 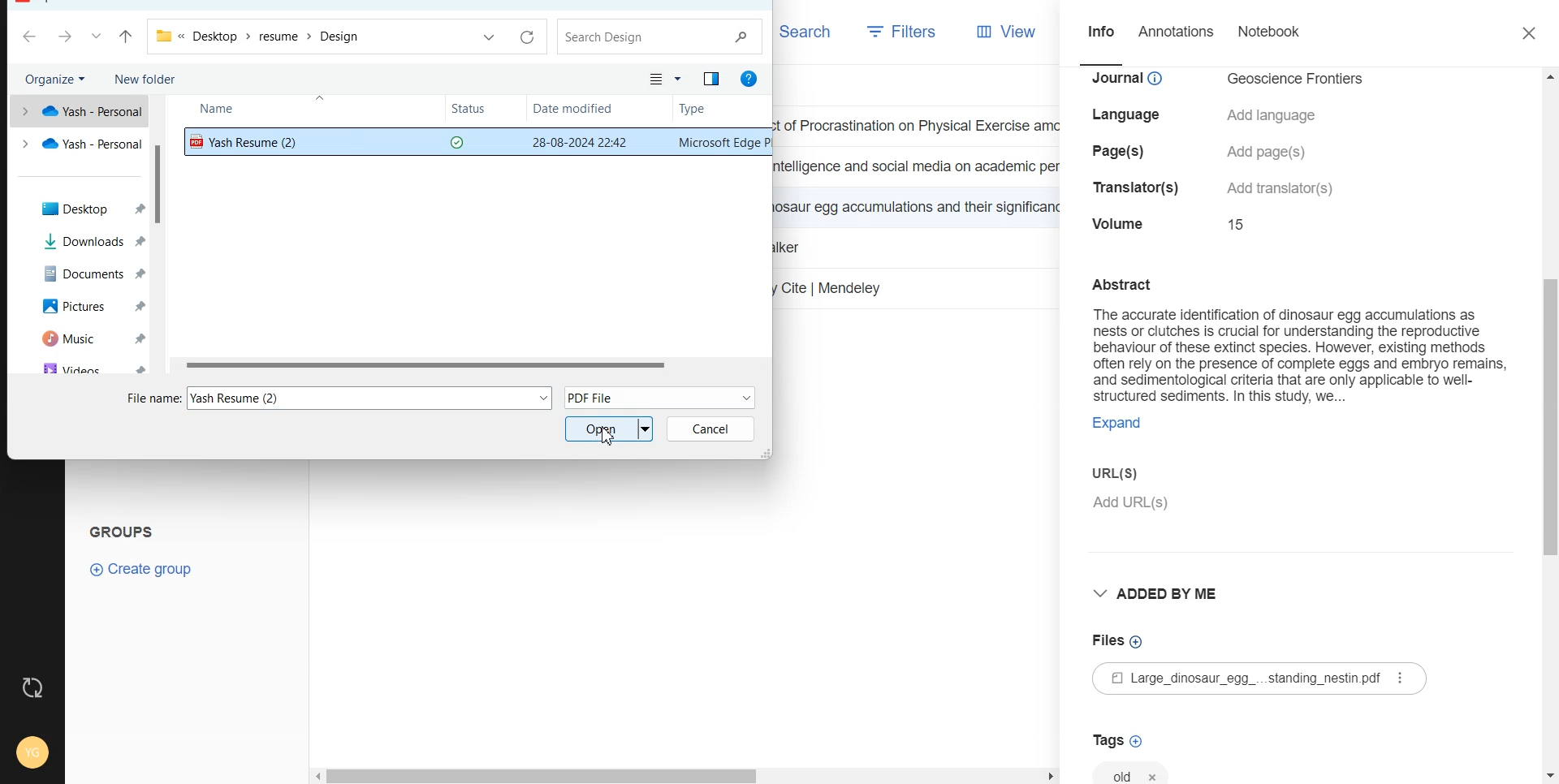 I want to click on Go back, so click(x=31, y=37).